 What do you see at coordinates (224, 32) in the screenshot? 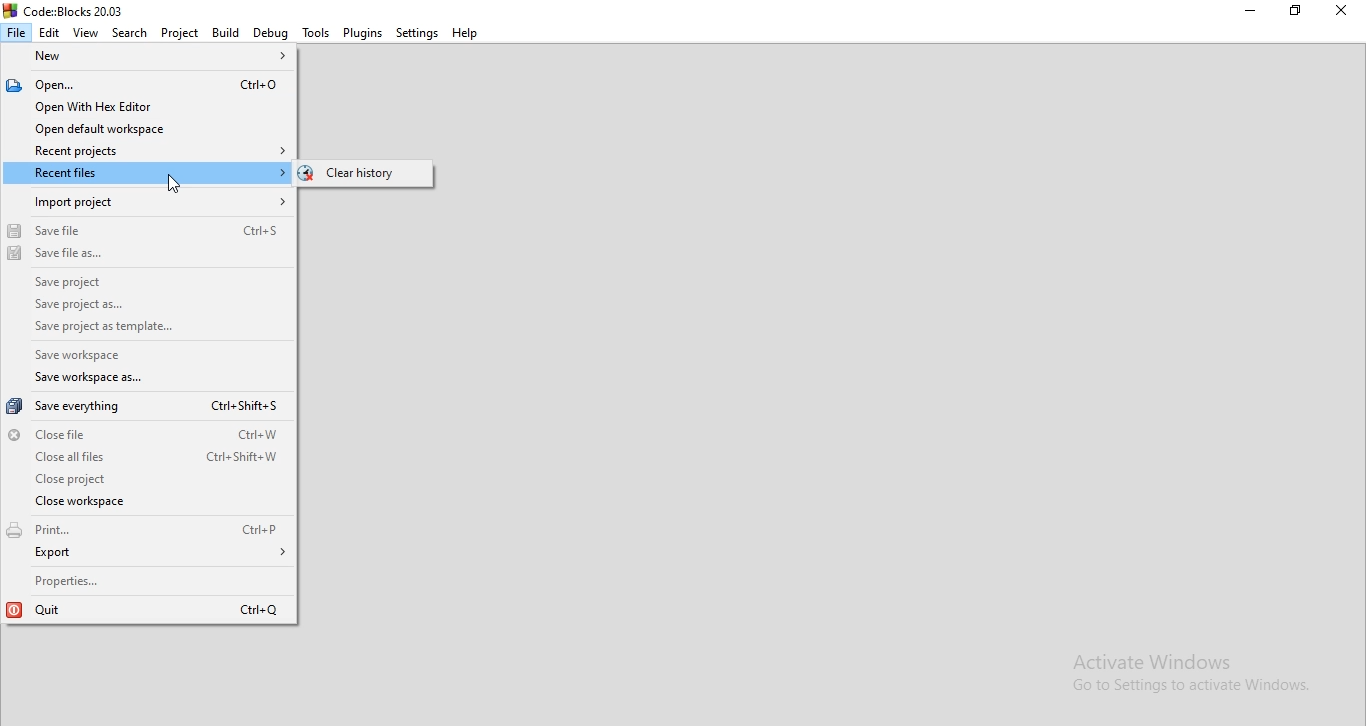
I see `bulid` at bounding box center [224, 32].